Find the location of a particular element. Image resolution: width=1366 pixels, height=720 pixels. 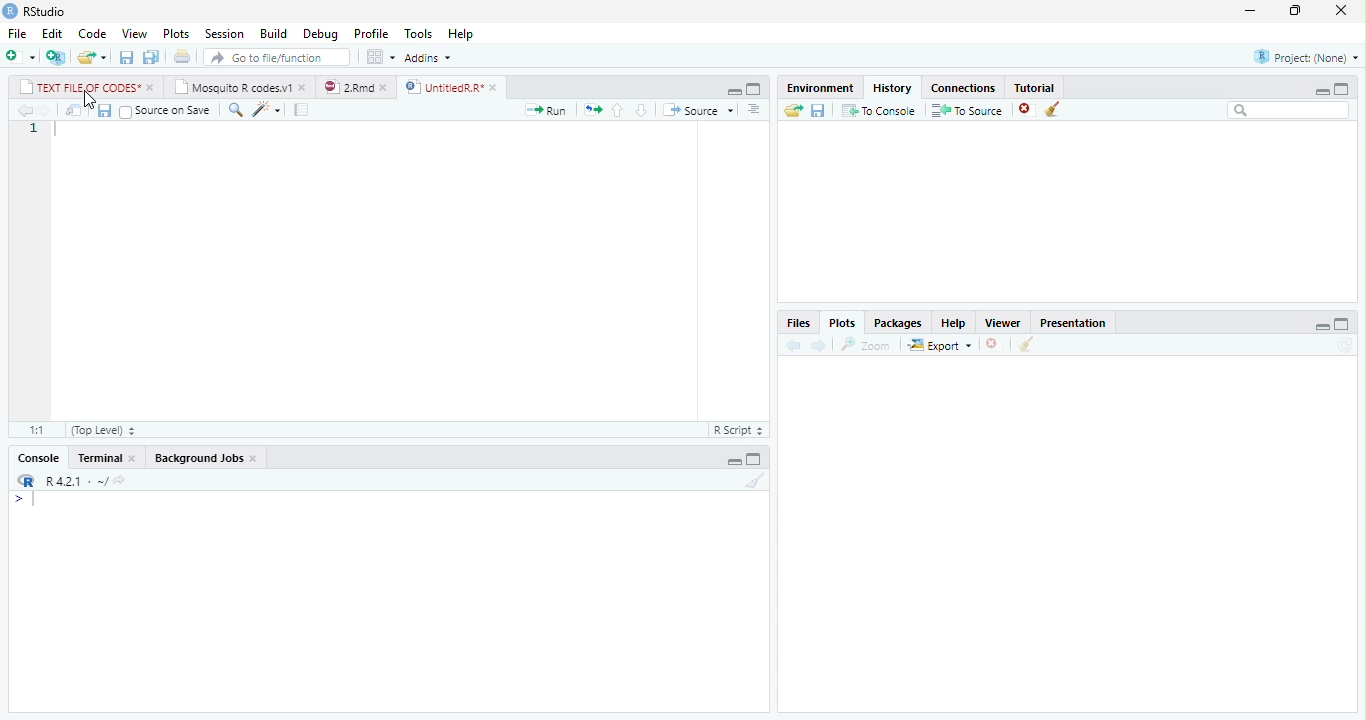

new project is located at coordinates (57, 57).